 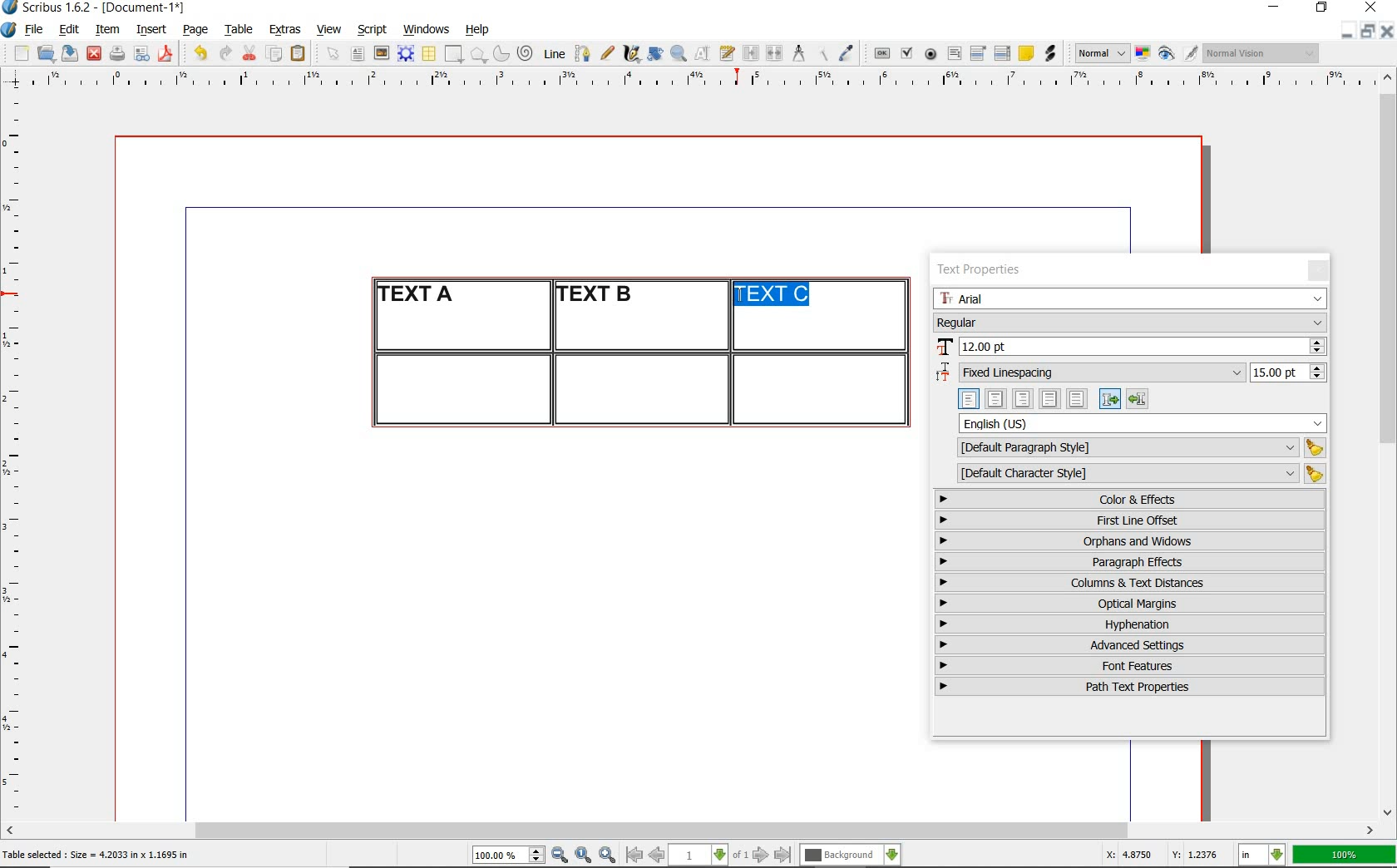 What do you see at coordinates (822, 53) in the screenshot?
I see `copy item properties` at bounding box center [822, 53].